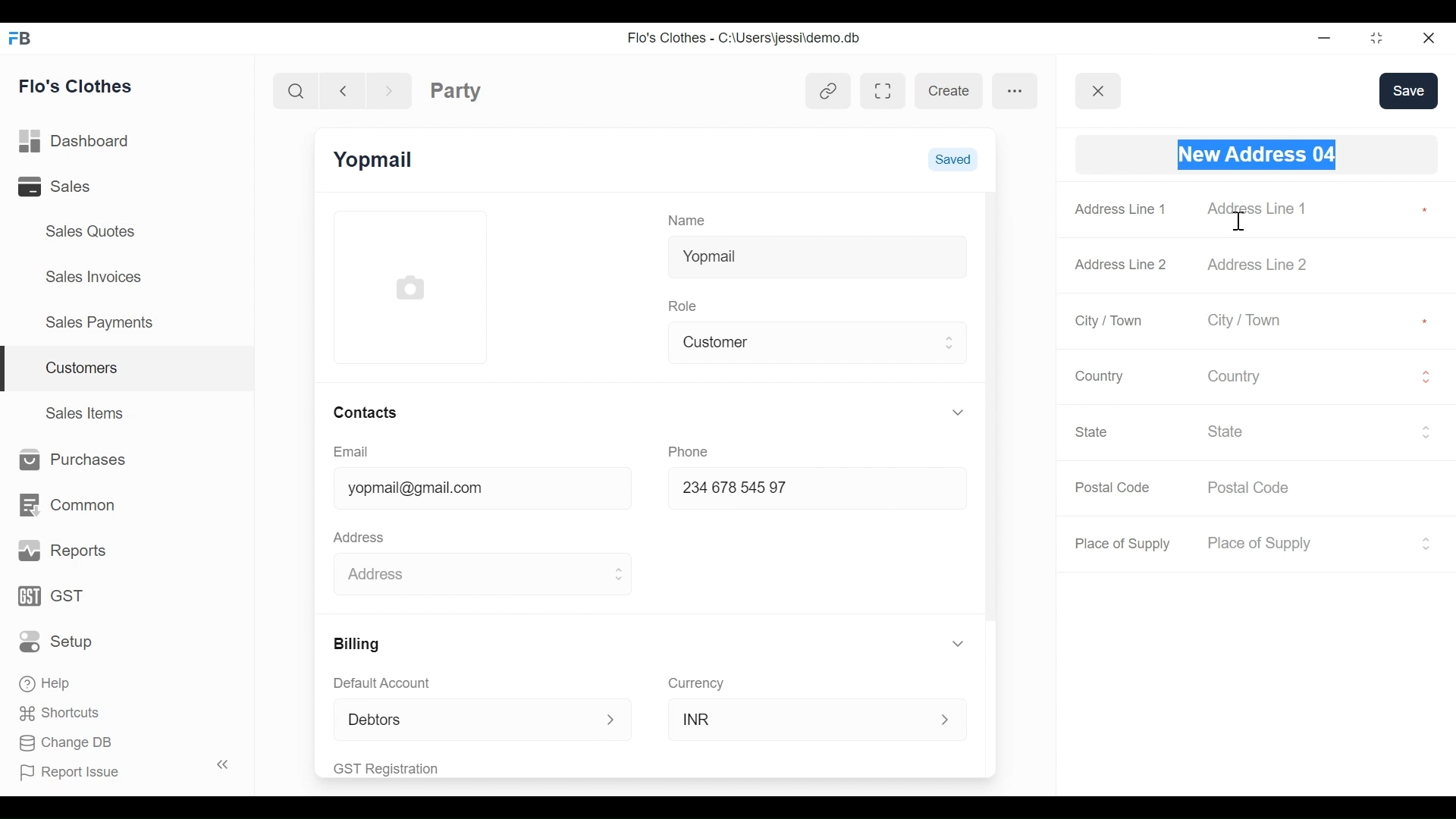 The image size is (1456, 819). Describe the element at coordinates (362, 535) in the screenshot. I see `Address` at that location.